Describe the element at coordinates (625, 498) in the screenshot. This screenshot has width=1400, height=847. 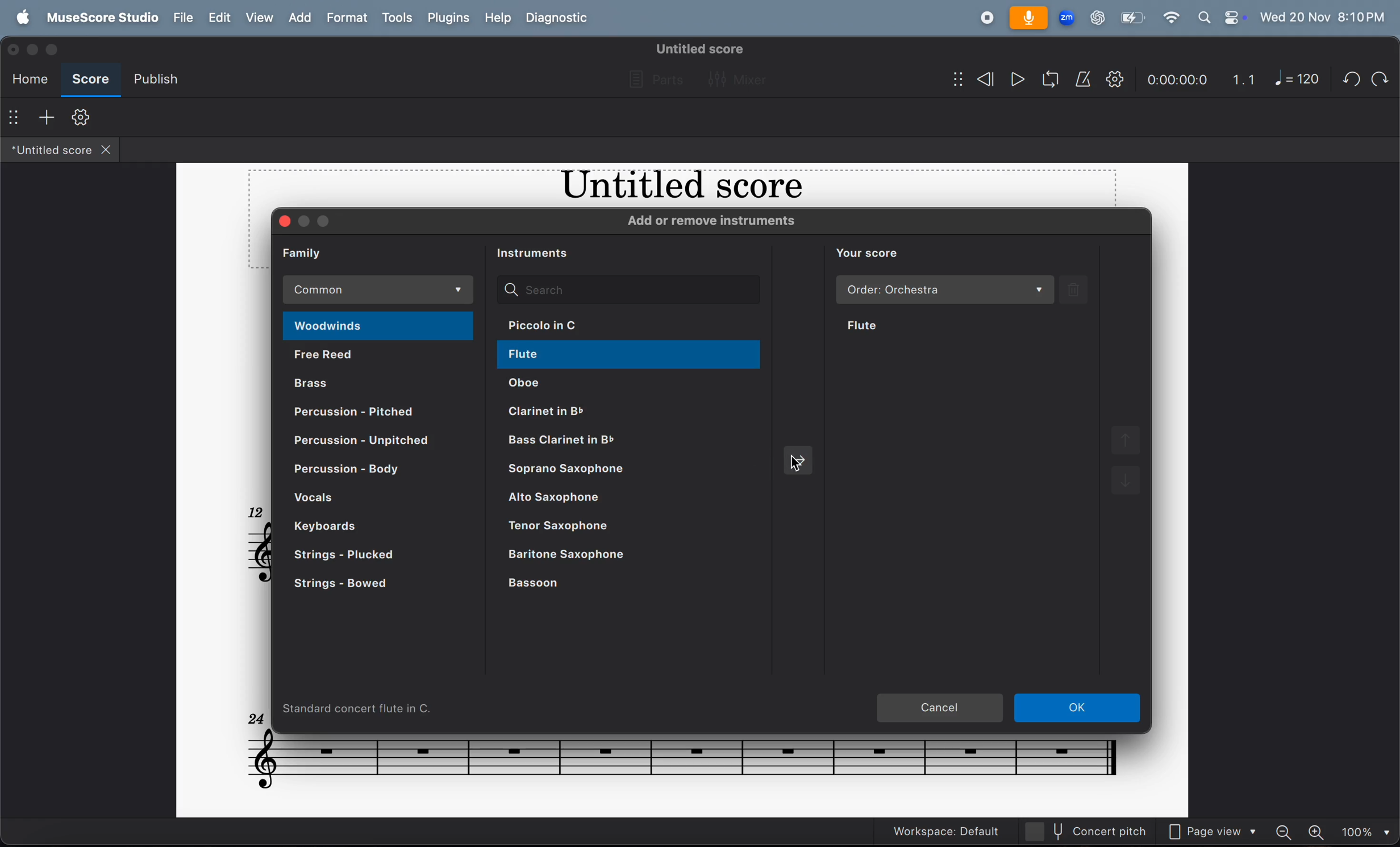
I see `alto saxophone` at that location.